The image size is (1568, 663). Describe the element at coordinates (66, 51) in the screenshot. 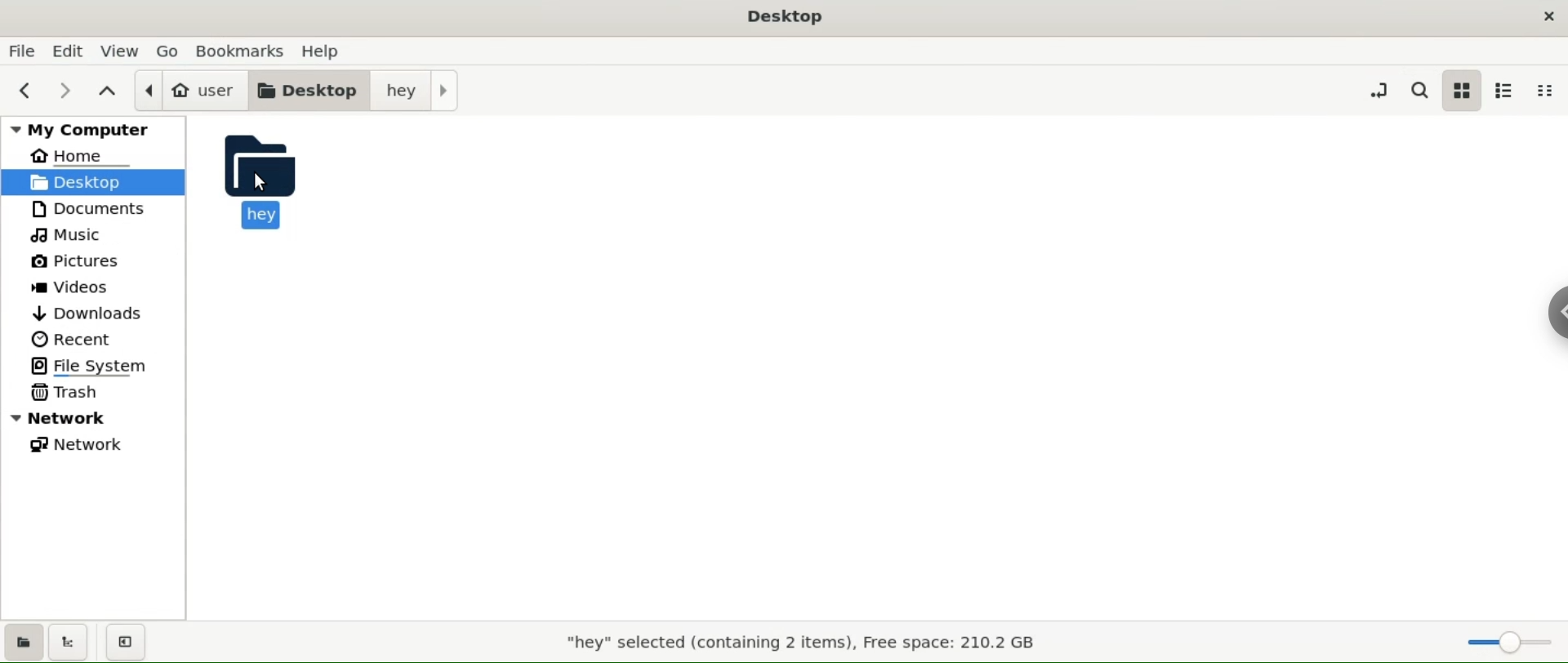

I see `edit` at that location.